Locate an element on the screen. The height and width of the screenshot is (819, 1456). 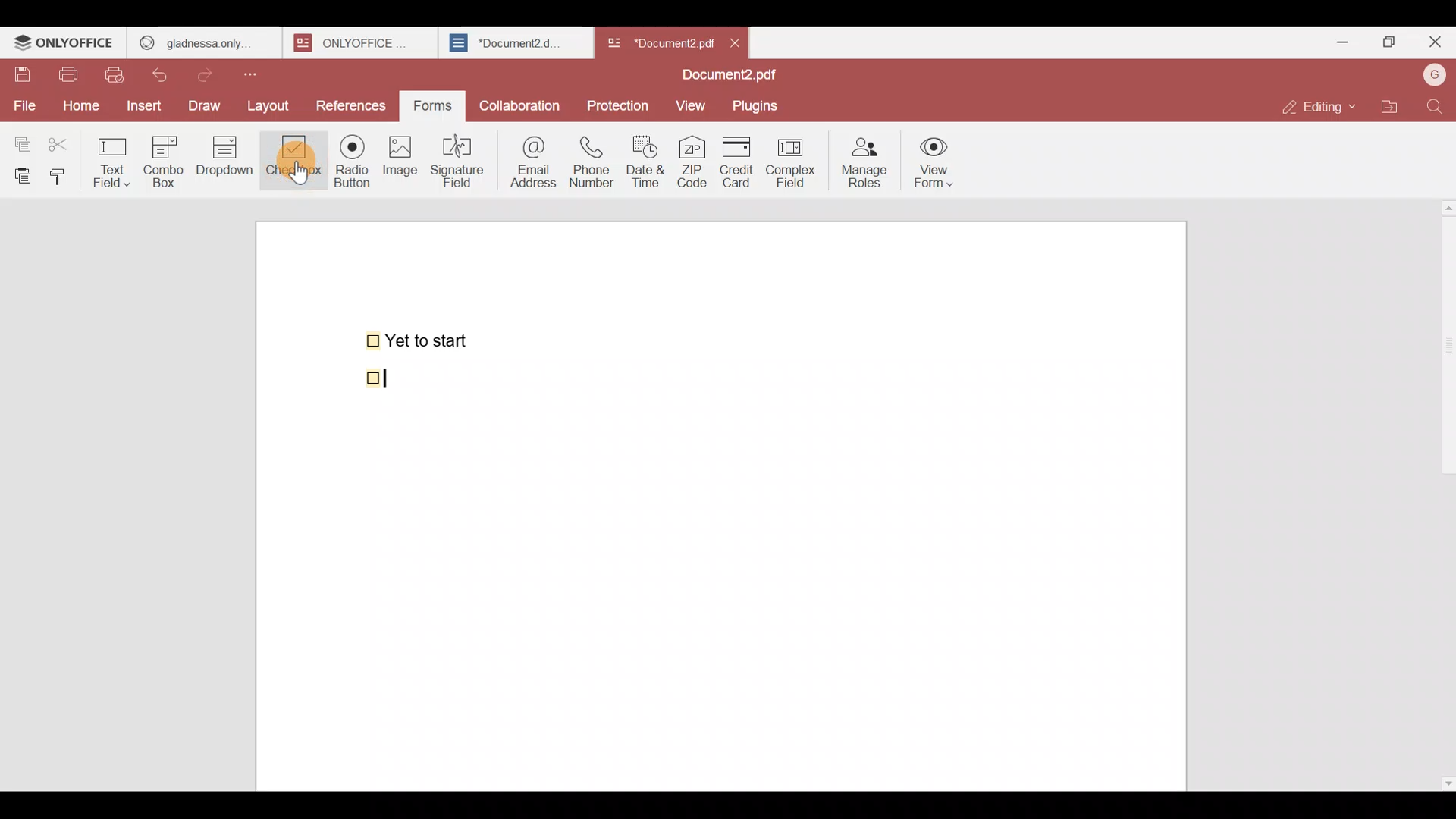
Account name is located at coordinates (1434, 74).